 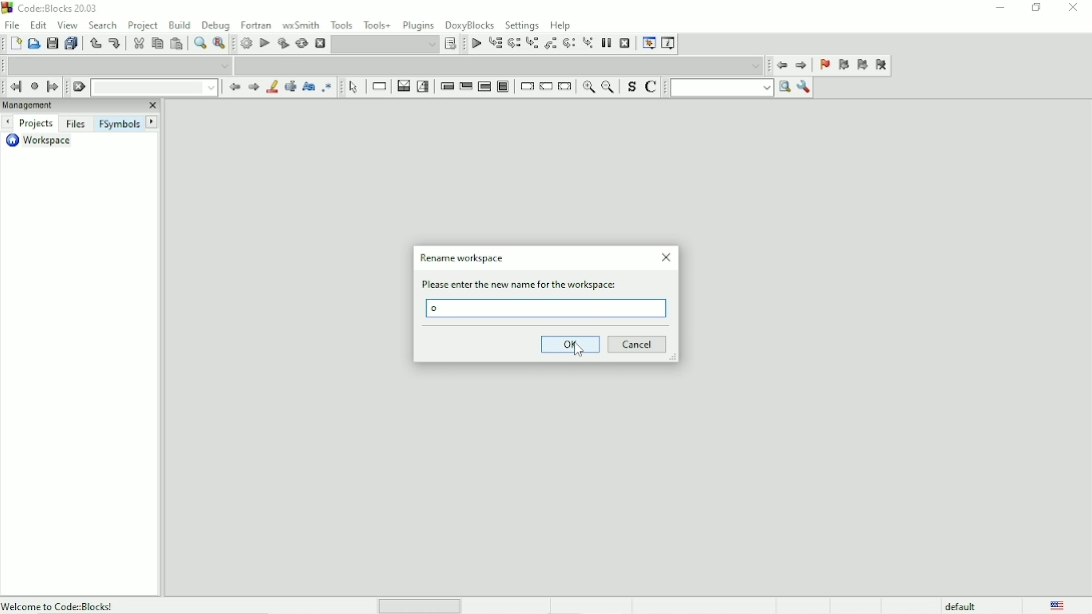 I want to click on View, so click(x=68, y=25).